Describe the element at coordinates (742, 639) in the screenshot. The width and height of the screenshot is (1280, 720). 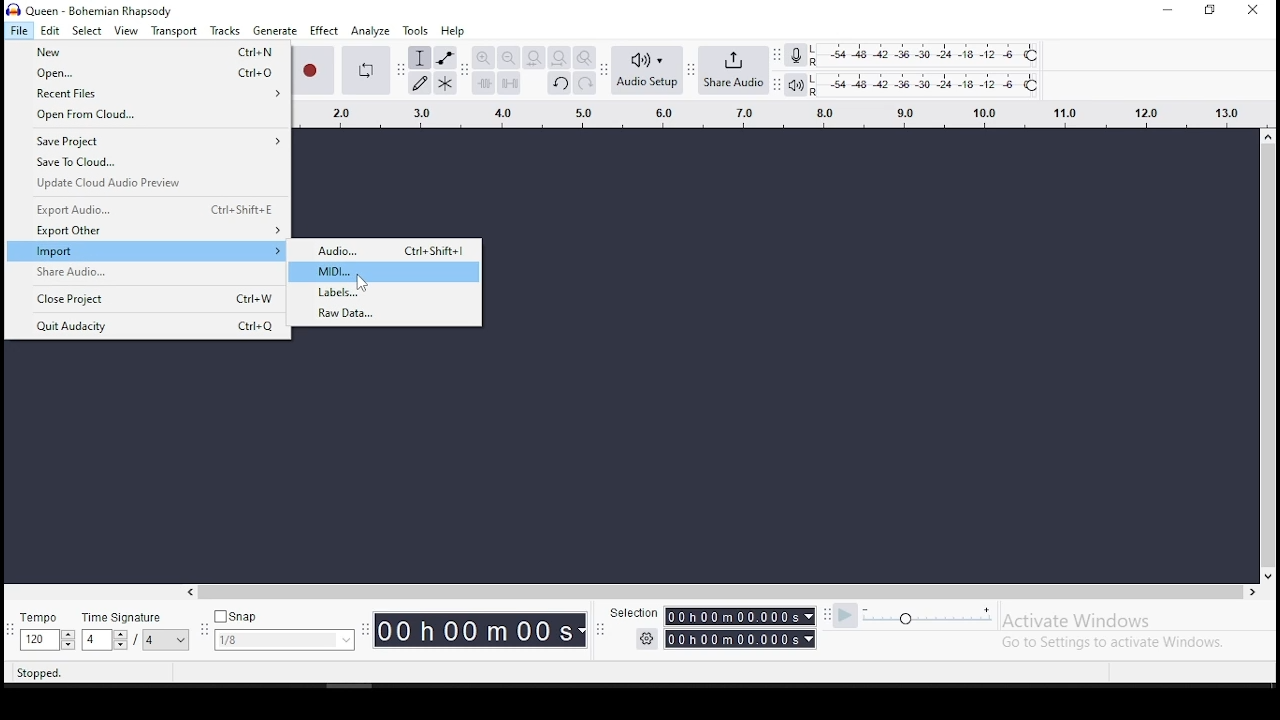
I see `00h00m00s` at that location.